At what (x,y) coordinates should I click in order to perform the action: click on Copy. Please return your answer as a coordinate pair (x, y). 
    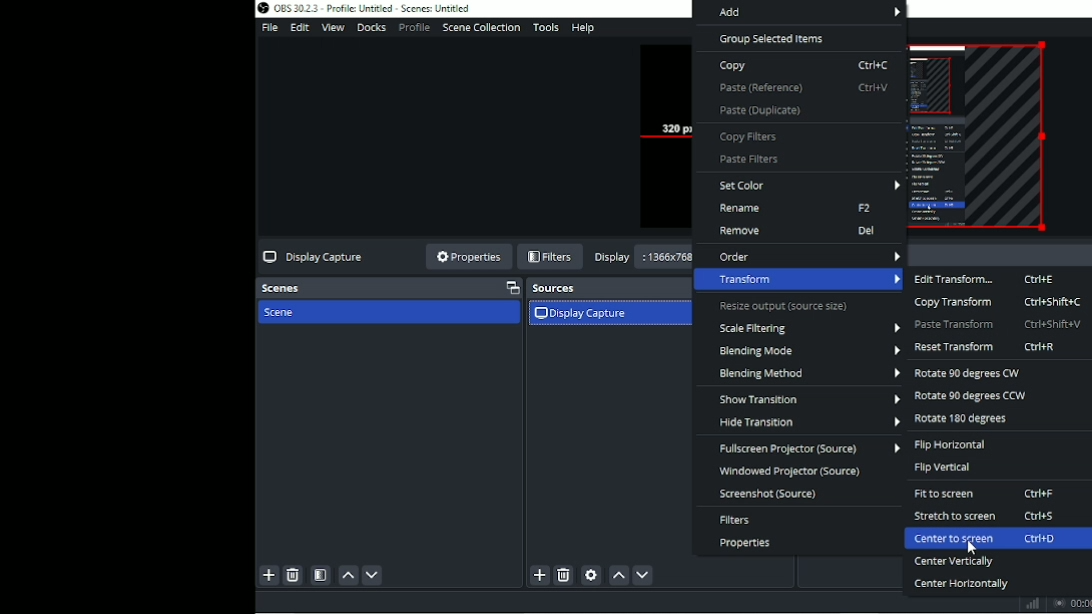
    Looking at the image, I should click on (801, 65).